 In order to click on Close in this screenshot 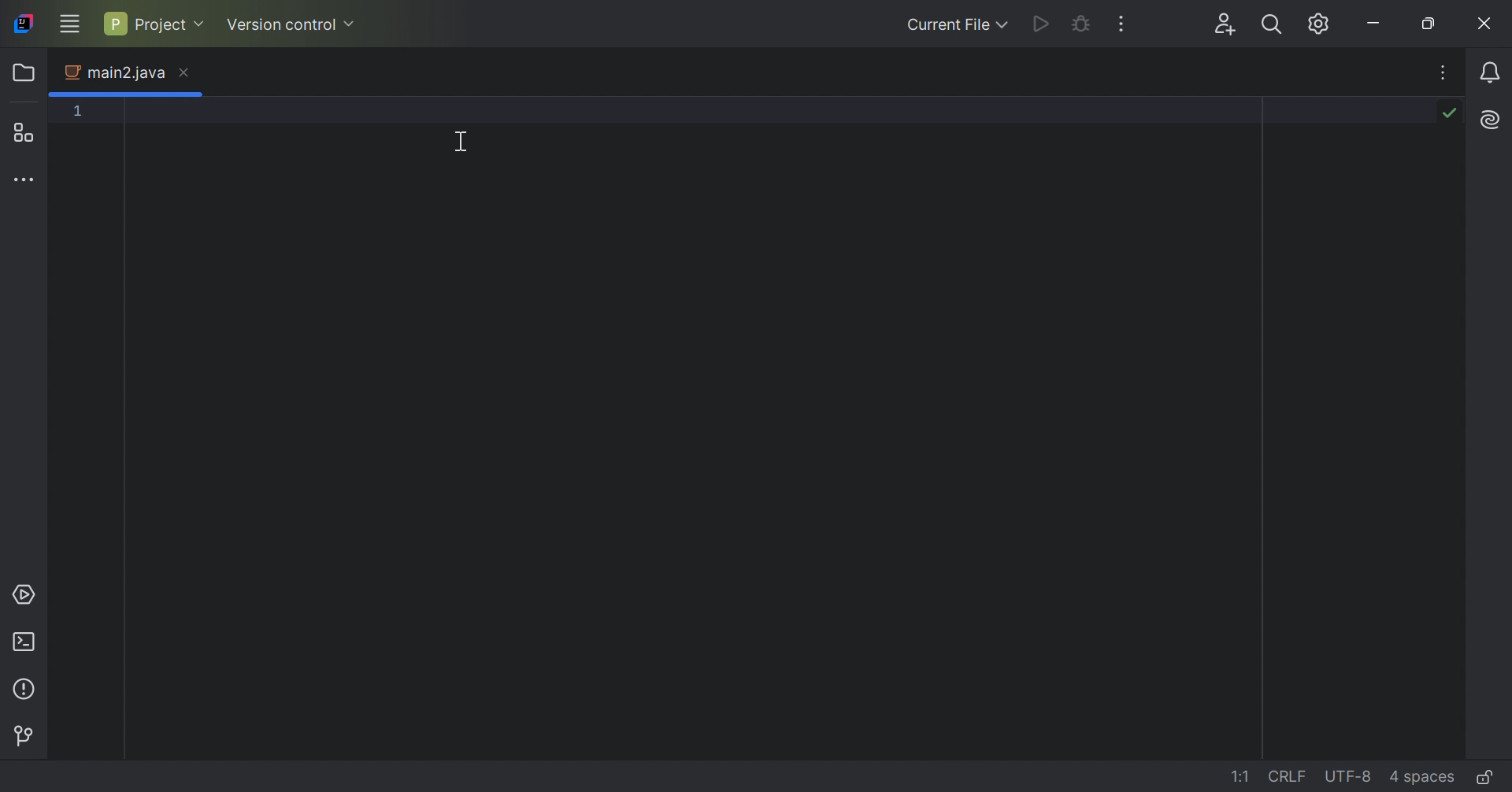, I will do `click(1486, 24)`.